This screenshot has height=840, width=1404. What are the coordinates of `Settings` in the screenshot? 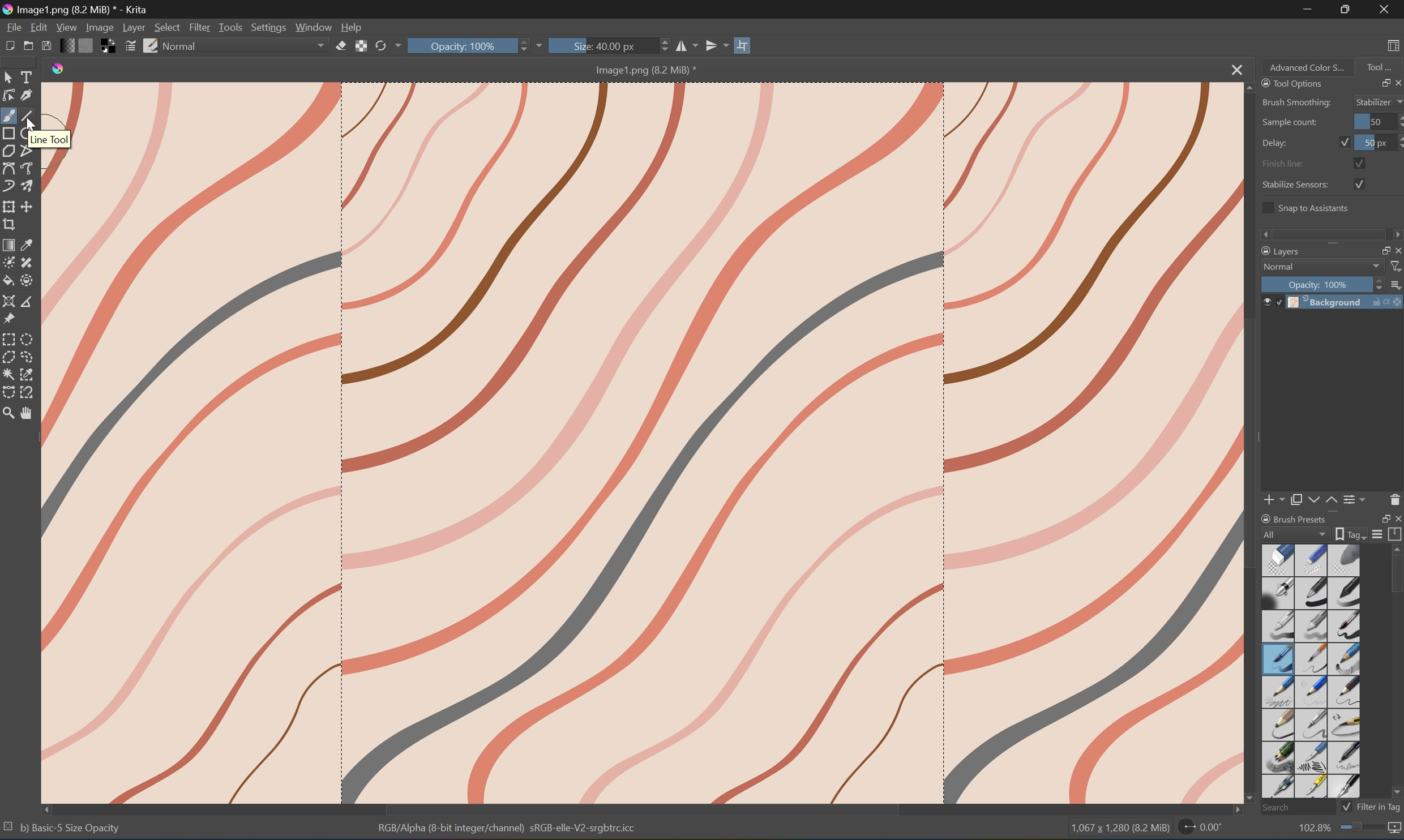 It's located at (268, 27).